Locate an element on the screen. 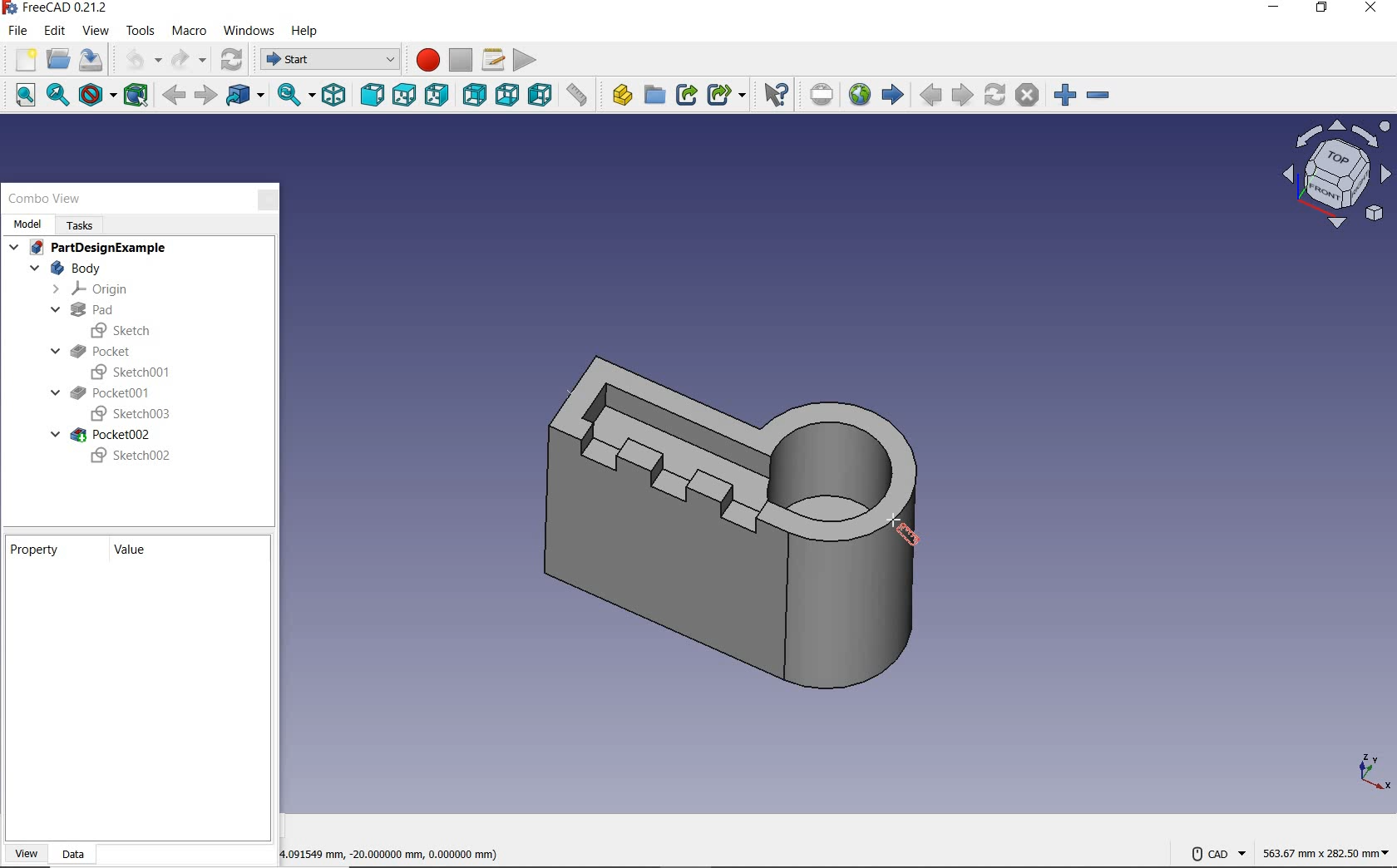 The height and width of the screenshot is (868, 1397). stop loading is located at coordinates (1029, 96).